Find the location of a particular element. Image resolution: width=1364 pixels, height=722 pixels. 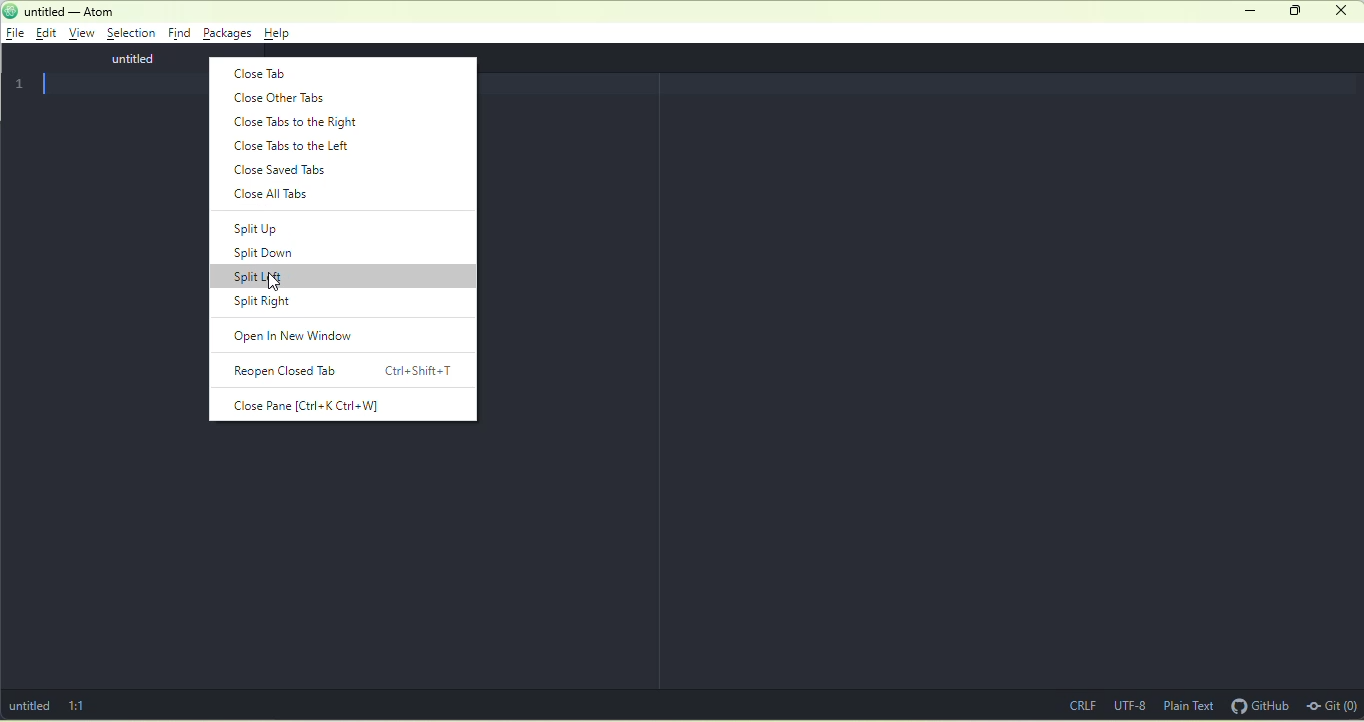

close tabs to the right is located at coordinates (298, 121).